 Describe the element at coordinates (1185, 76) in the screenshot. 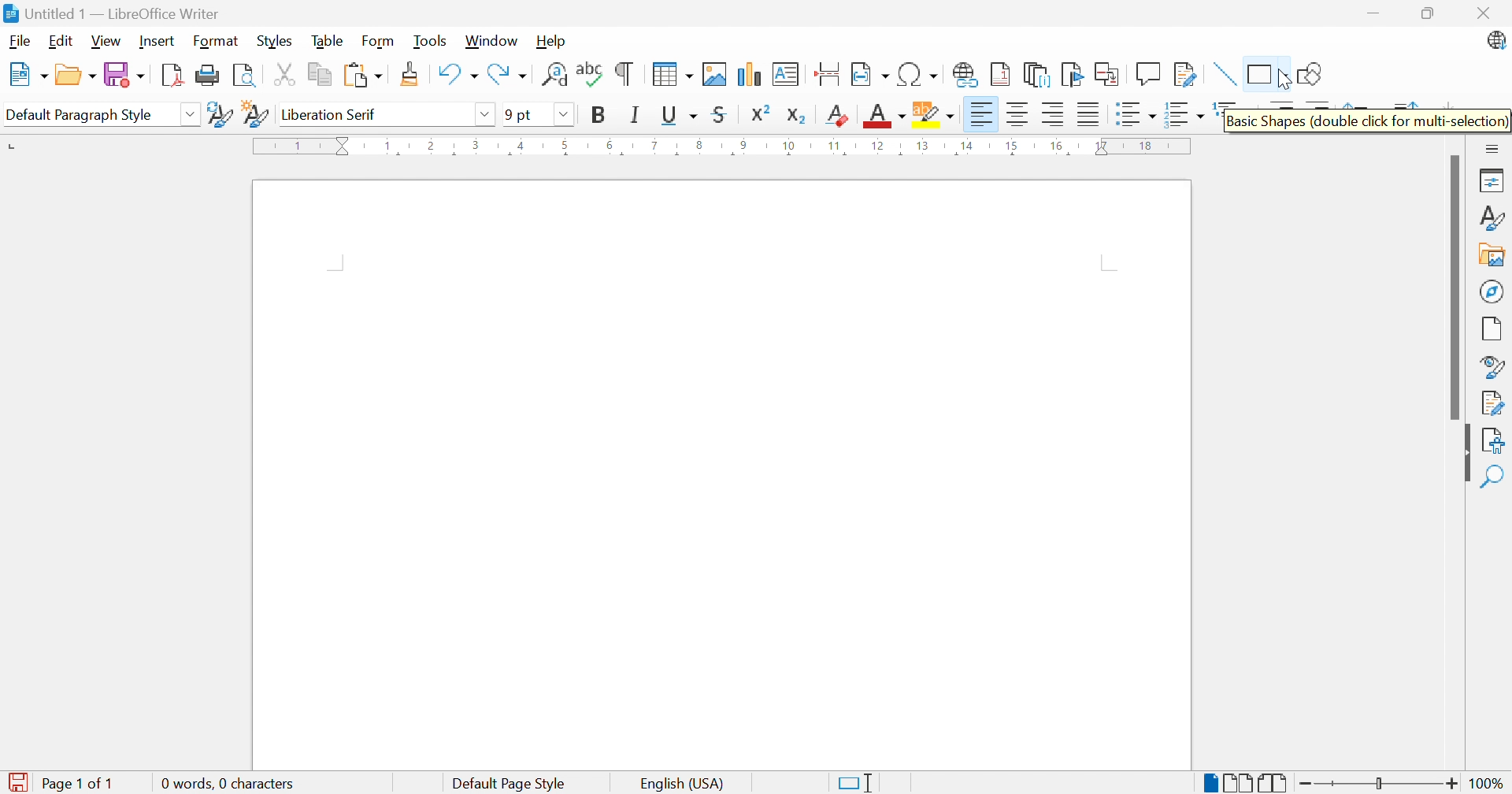

I see `Show track changes fuctions` at that location.